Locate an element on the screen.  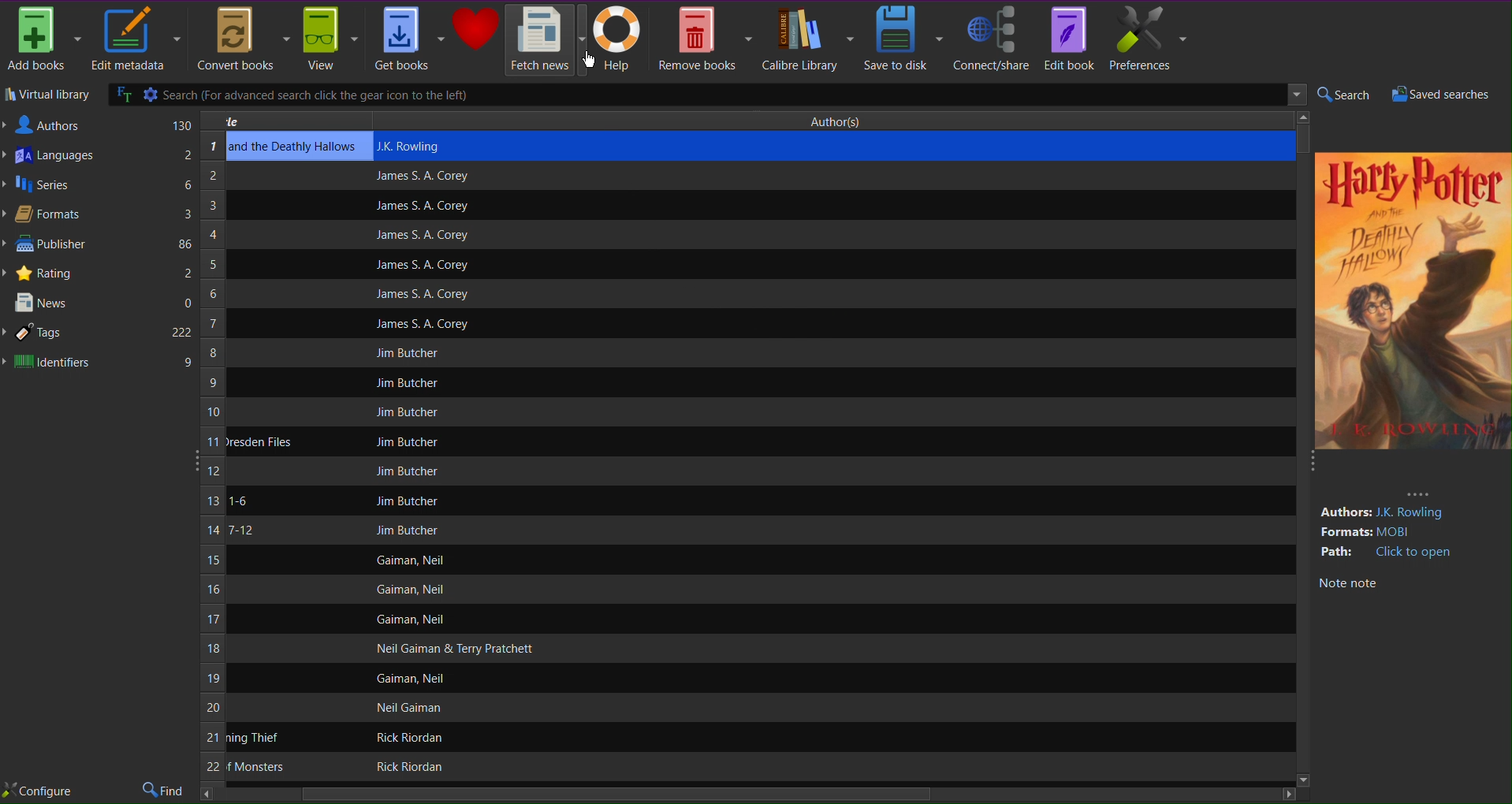
Find is located at coordinates (165, 791).